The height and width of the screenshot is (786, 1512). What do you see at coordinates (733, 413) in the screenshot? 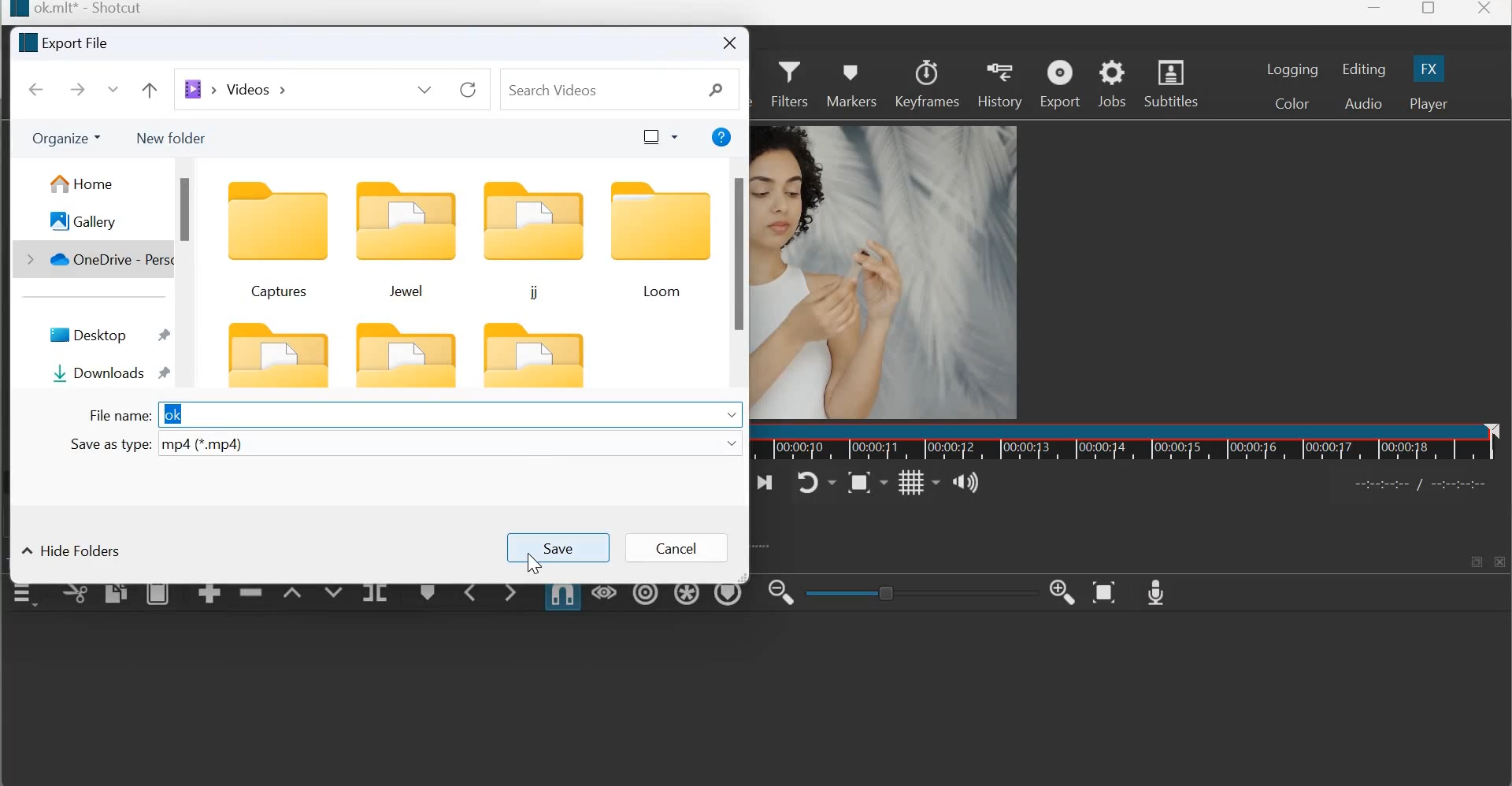
I see `dropdown` at bounding box center [733, 413].